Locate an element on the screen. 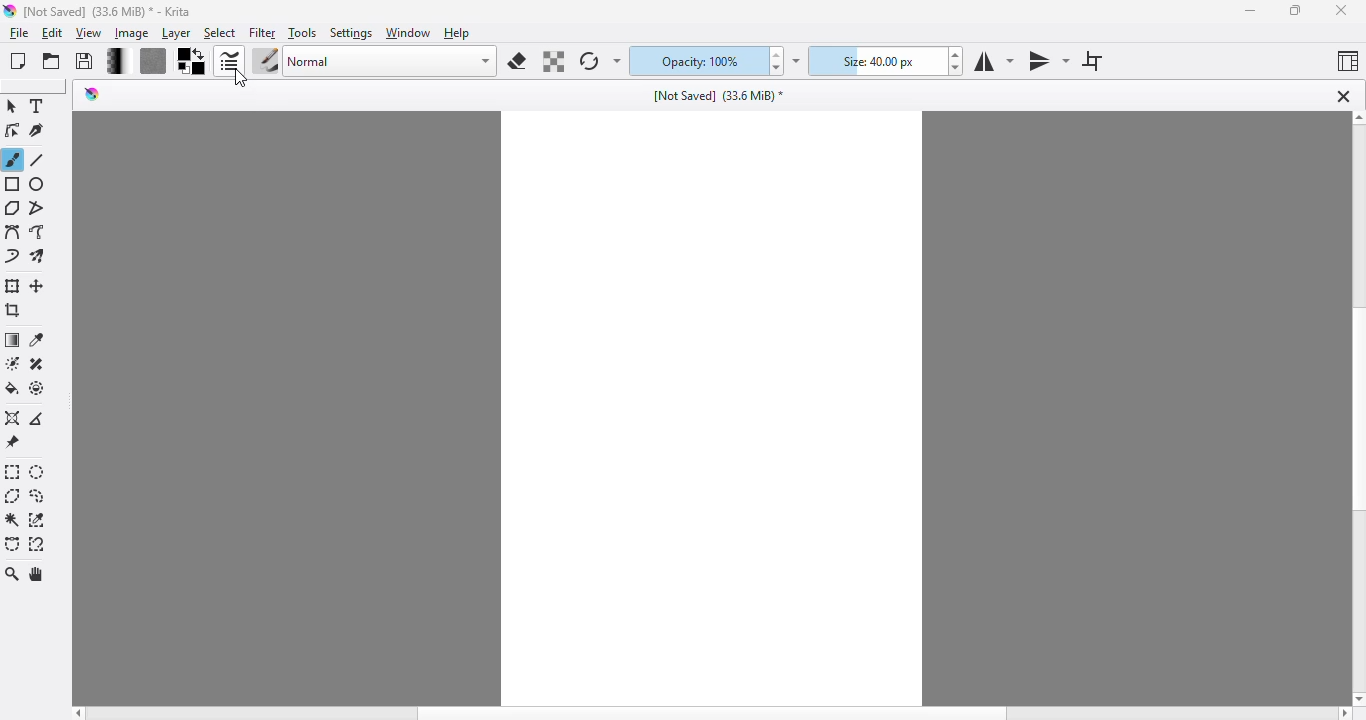  open an existing document is located at coordinates (52, 61).